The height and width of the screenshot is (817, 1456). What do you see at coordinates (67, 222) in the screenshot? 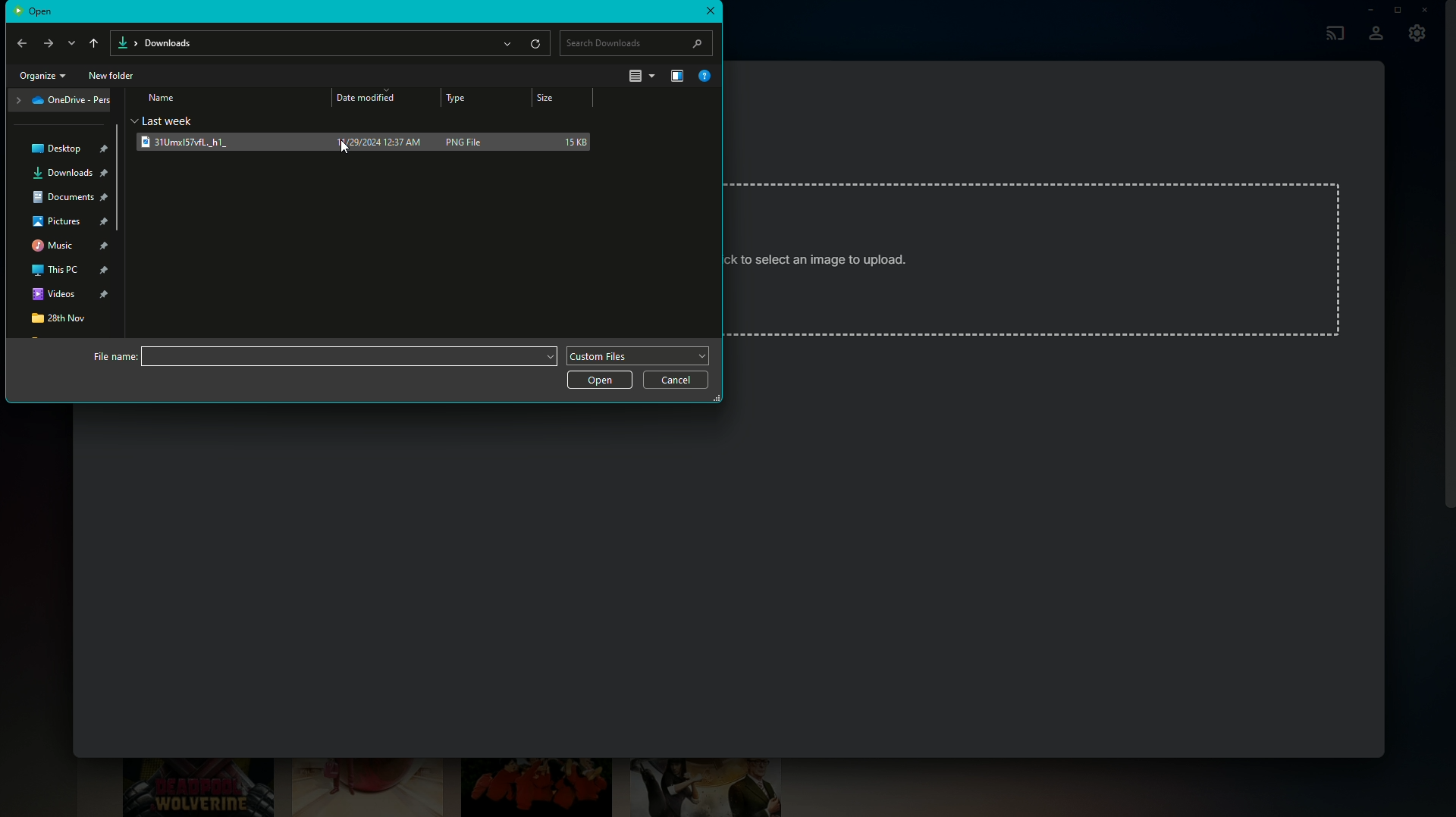
I see `Pictures` at bounding box center [67, 222].